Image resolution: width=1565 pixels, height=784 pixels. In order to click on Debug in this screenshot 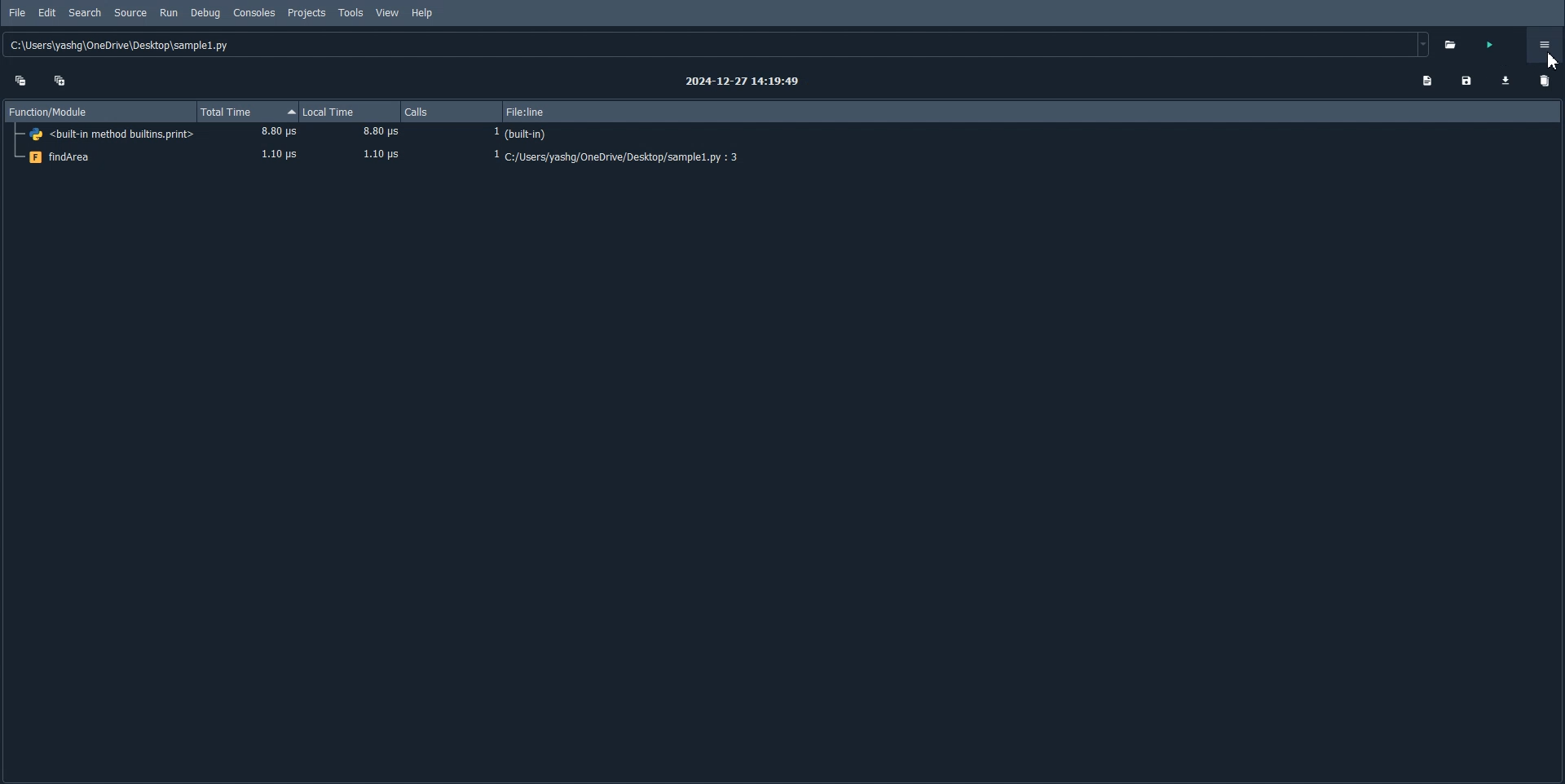, I will do `click(204, 13)`.